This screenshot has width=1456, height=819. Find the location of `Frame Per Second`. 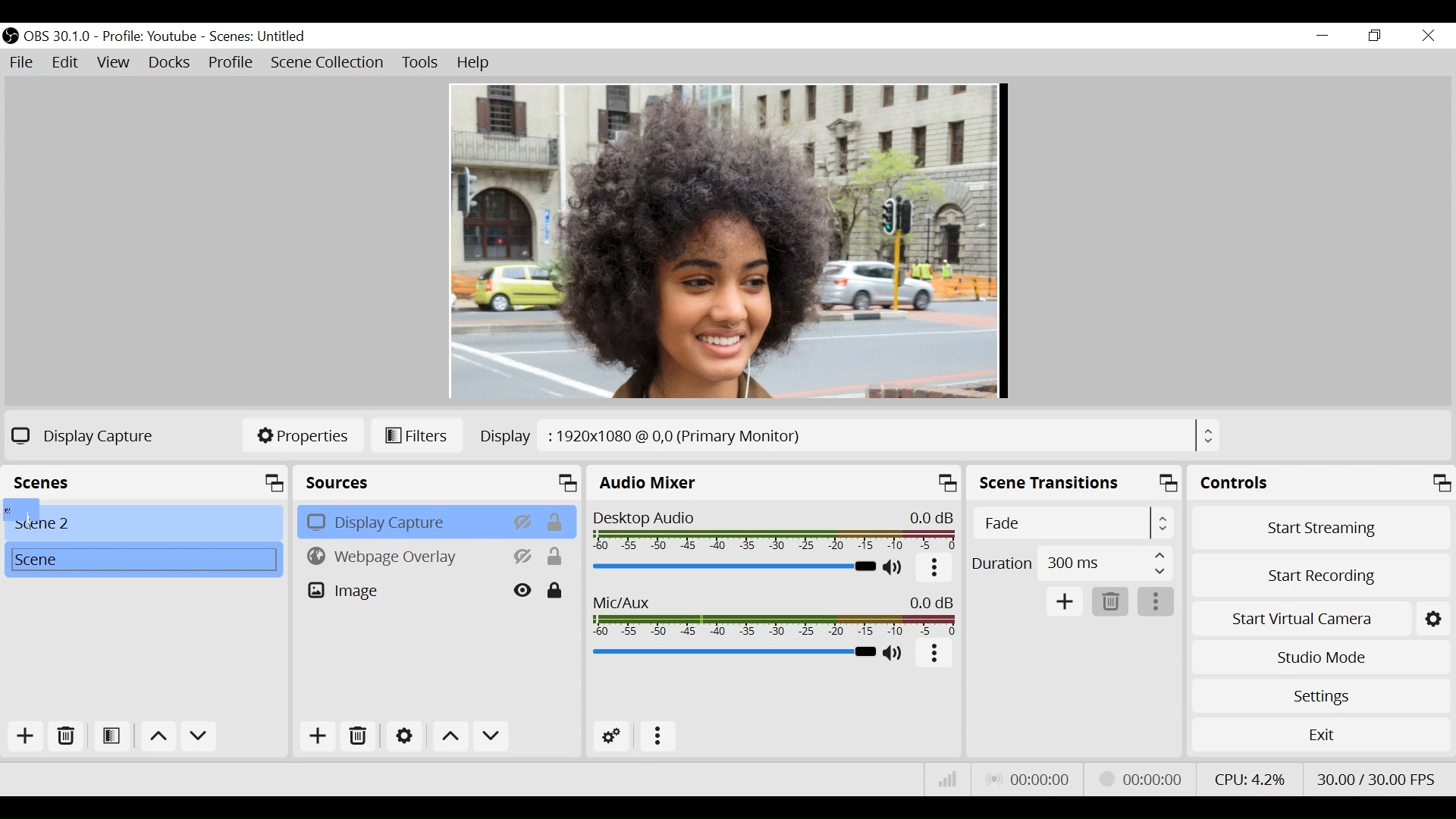

Frame Per Second is located at coordinates (1376, 778).